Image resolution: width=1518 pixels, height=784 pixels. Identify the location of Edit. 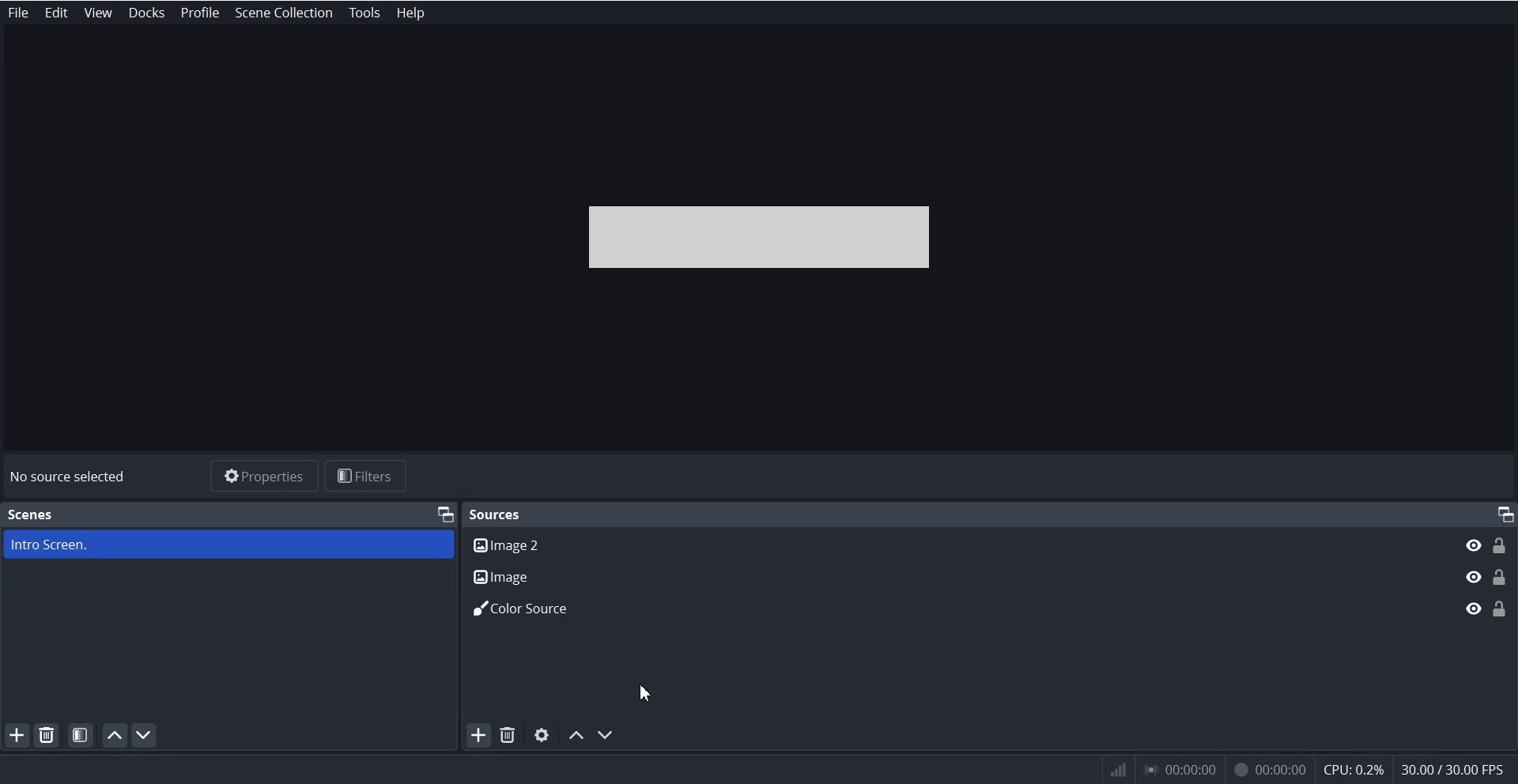
(57, 13).